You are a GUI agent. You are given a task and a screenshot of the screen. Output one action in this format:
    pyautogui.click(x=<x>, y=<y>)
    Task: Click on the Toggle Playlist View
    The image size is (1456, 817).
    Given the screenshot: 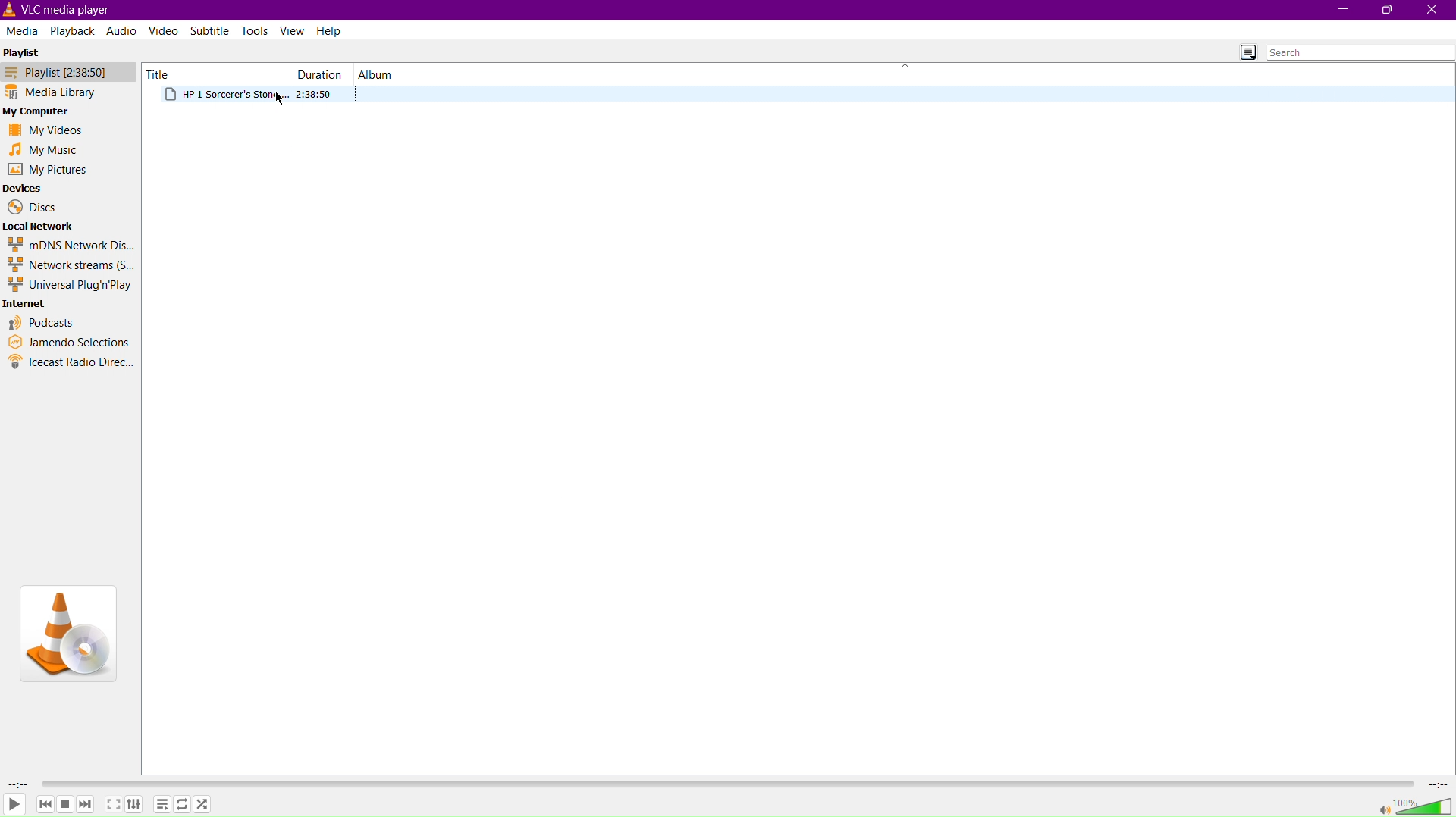 What is the action you would take?
    pyautogui.click(x=1248, y=52)
    